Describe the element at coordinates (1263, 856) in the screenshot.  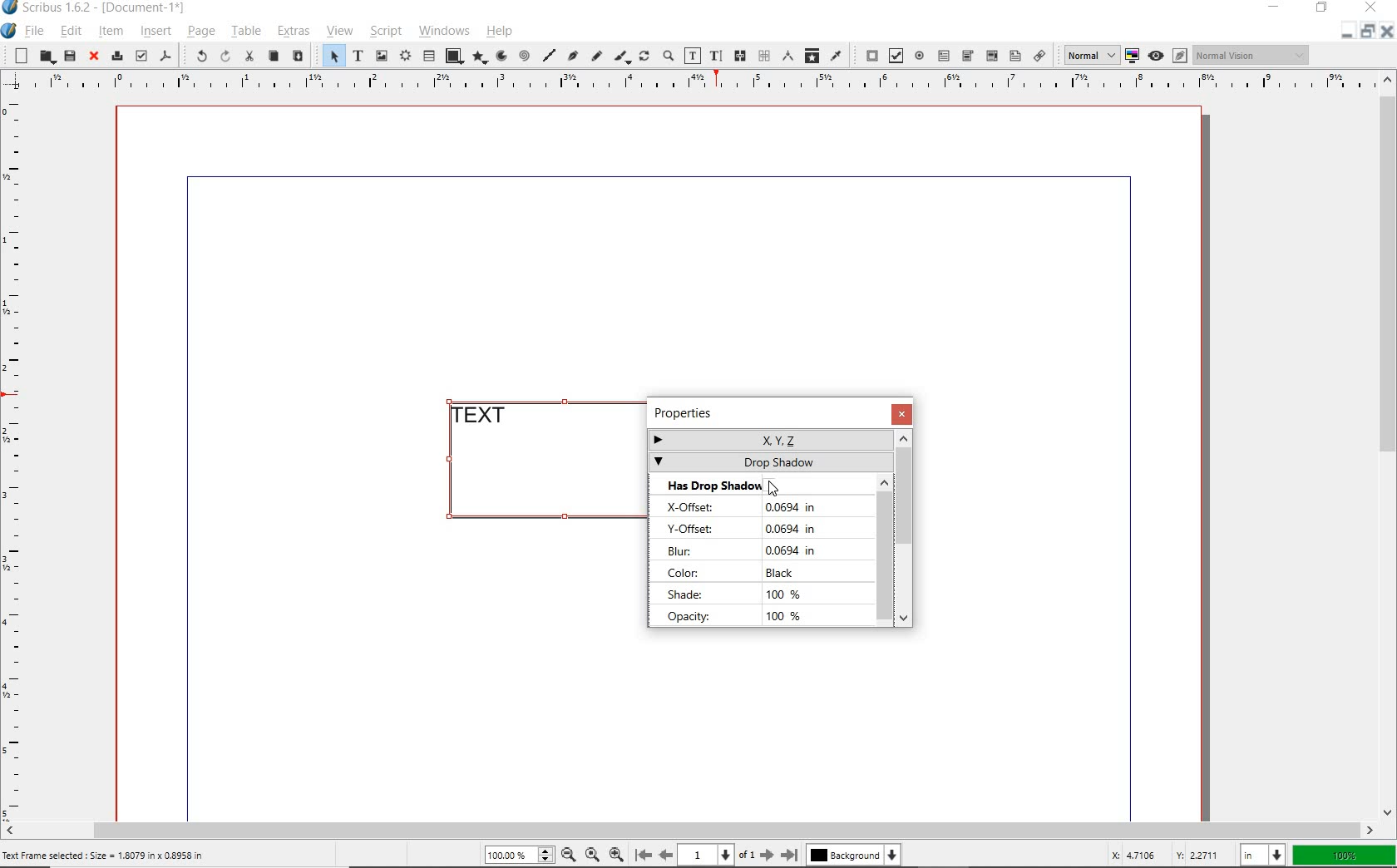
I see `select unit: in` at that location.